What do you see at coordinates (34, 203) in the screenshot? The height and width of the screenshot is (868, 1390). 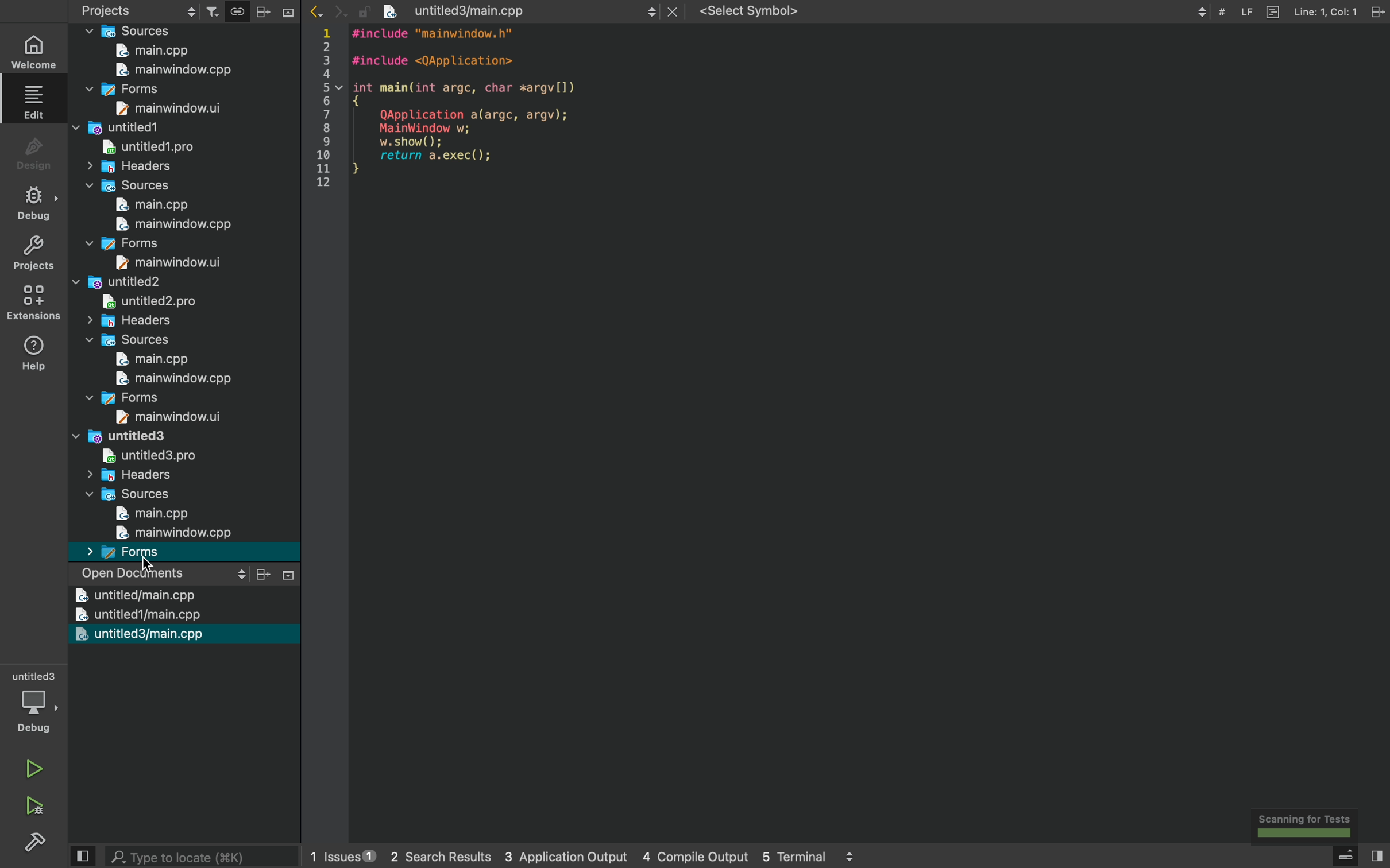 I see `` at bounding box center [34, 203].